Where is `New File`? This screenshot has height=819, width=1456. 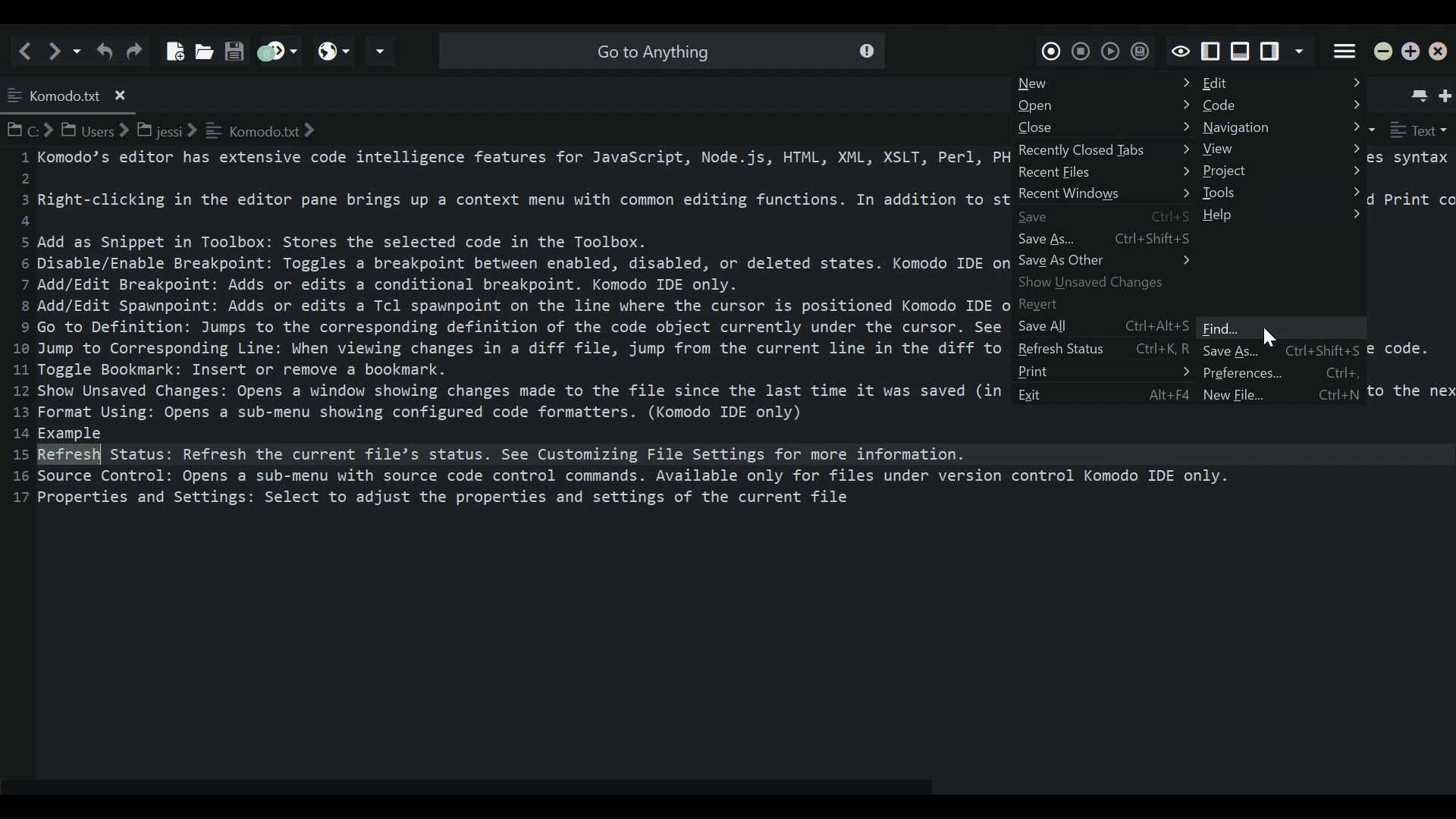
New File is located at coordinates (1223, 394).